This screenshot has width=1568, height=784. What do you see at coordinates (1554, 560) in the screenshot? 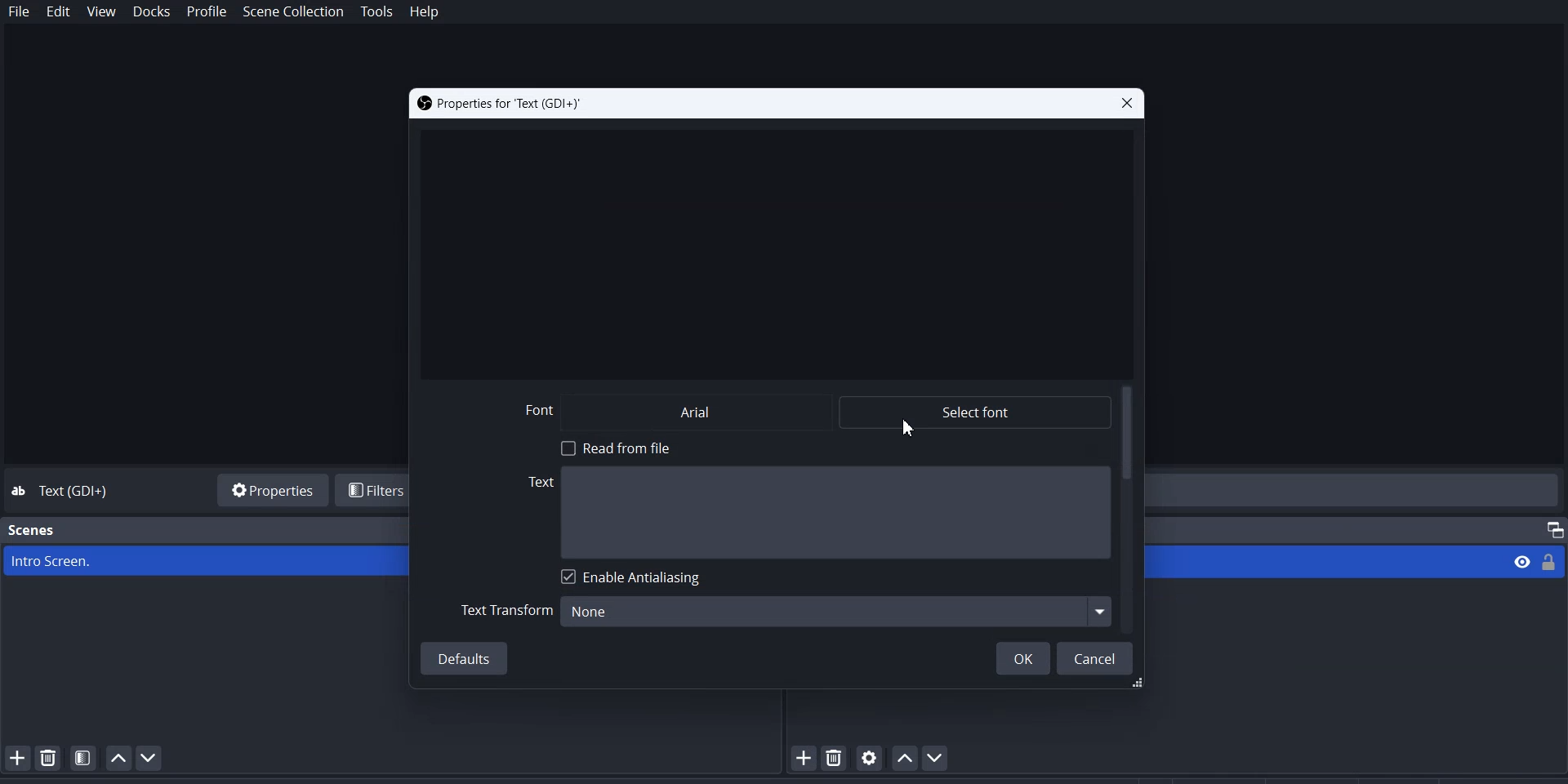
I see `Lock` at bounding box center [1554, 560].